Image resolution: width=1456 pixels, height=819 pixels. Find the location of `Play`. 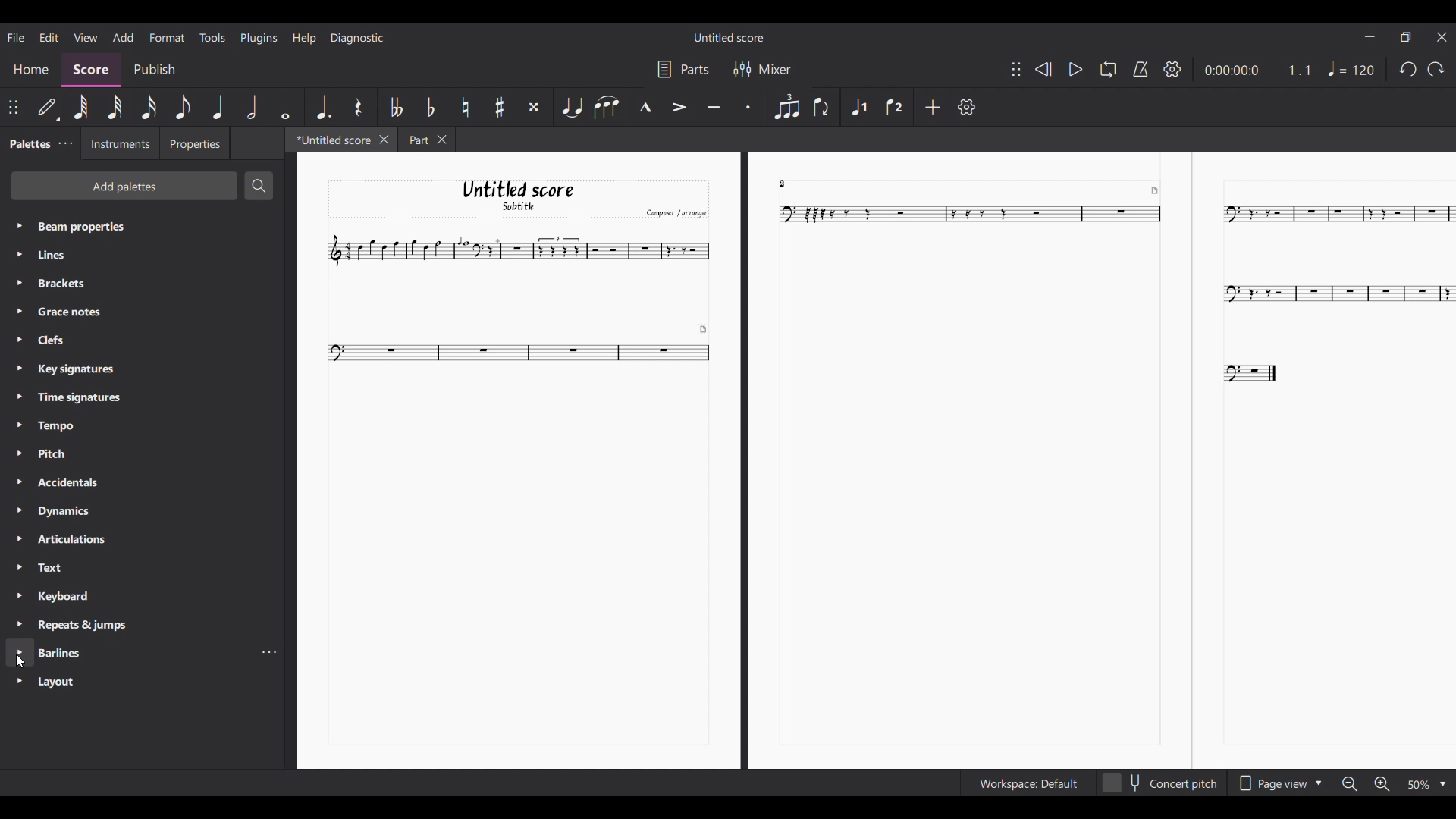

Play is located at coordinates (1075, 69).